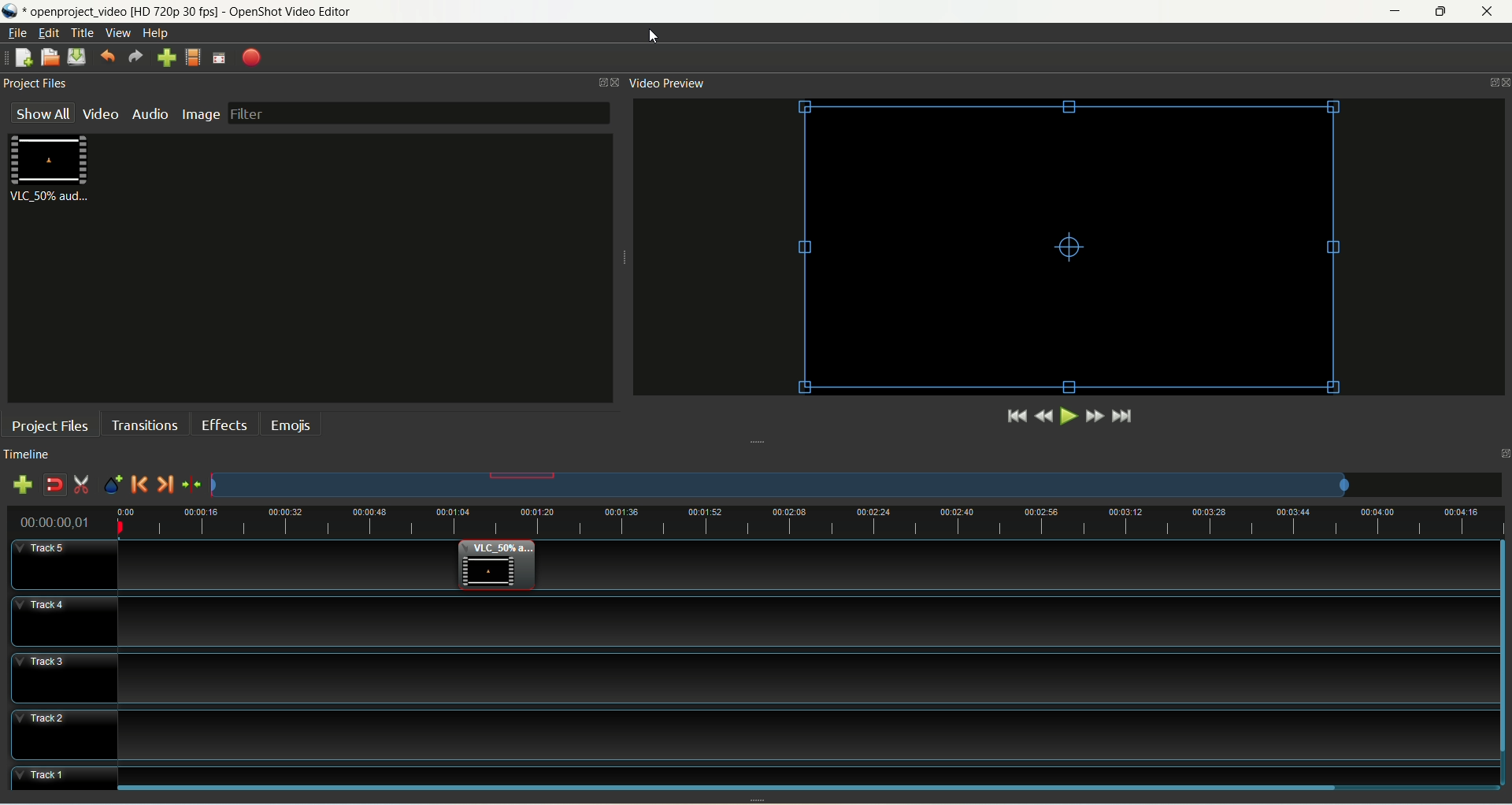 The width and height of the screenshot is (1512, 805). Describe the element at coordinates (119, 32) in the screenshot. I see `view` at that location.